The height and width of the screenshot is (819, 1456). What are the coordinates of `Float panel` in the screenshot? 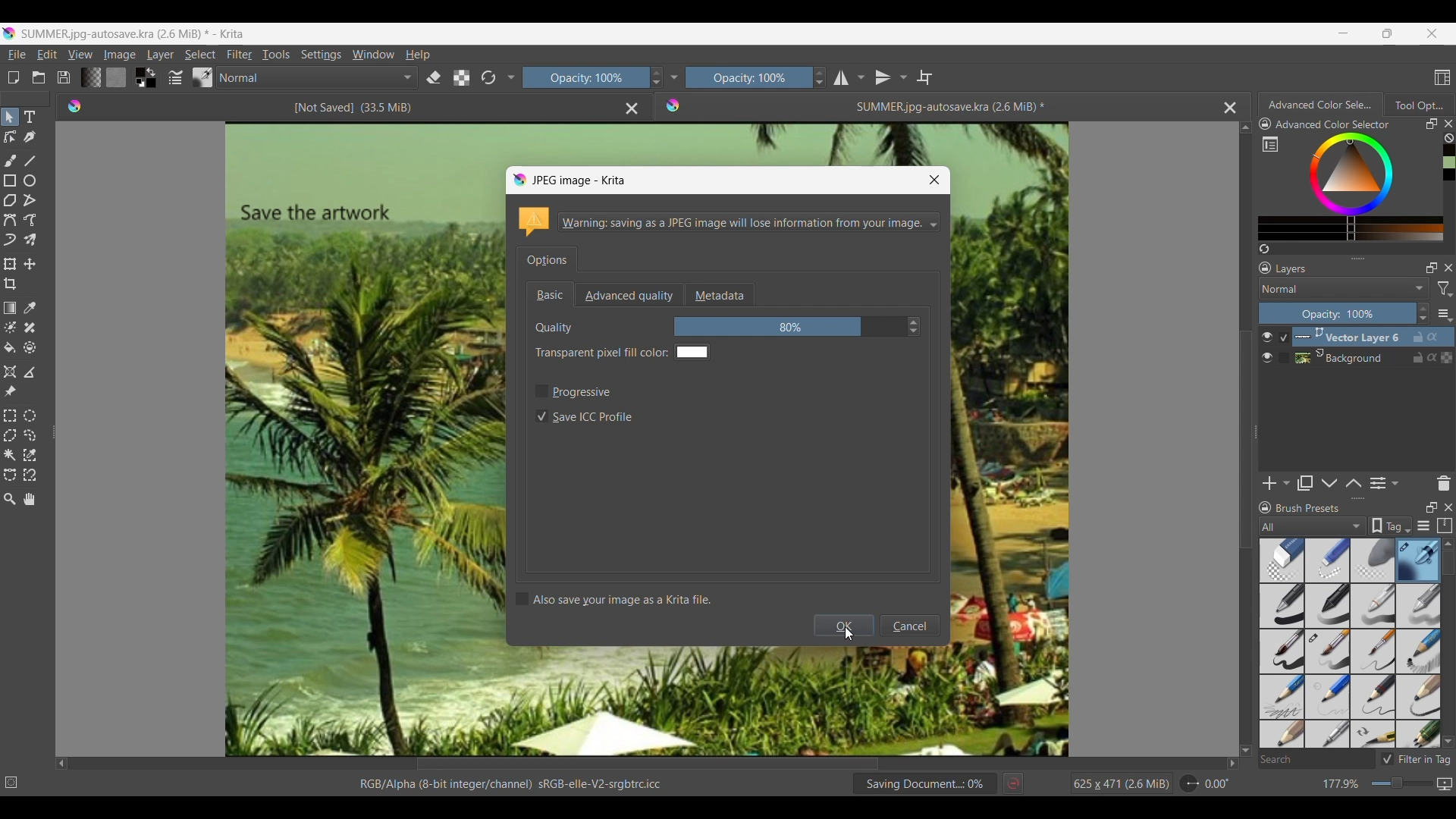 It's located at (1431, 507).